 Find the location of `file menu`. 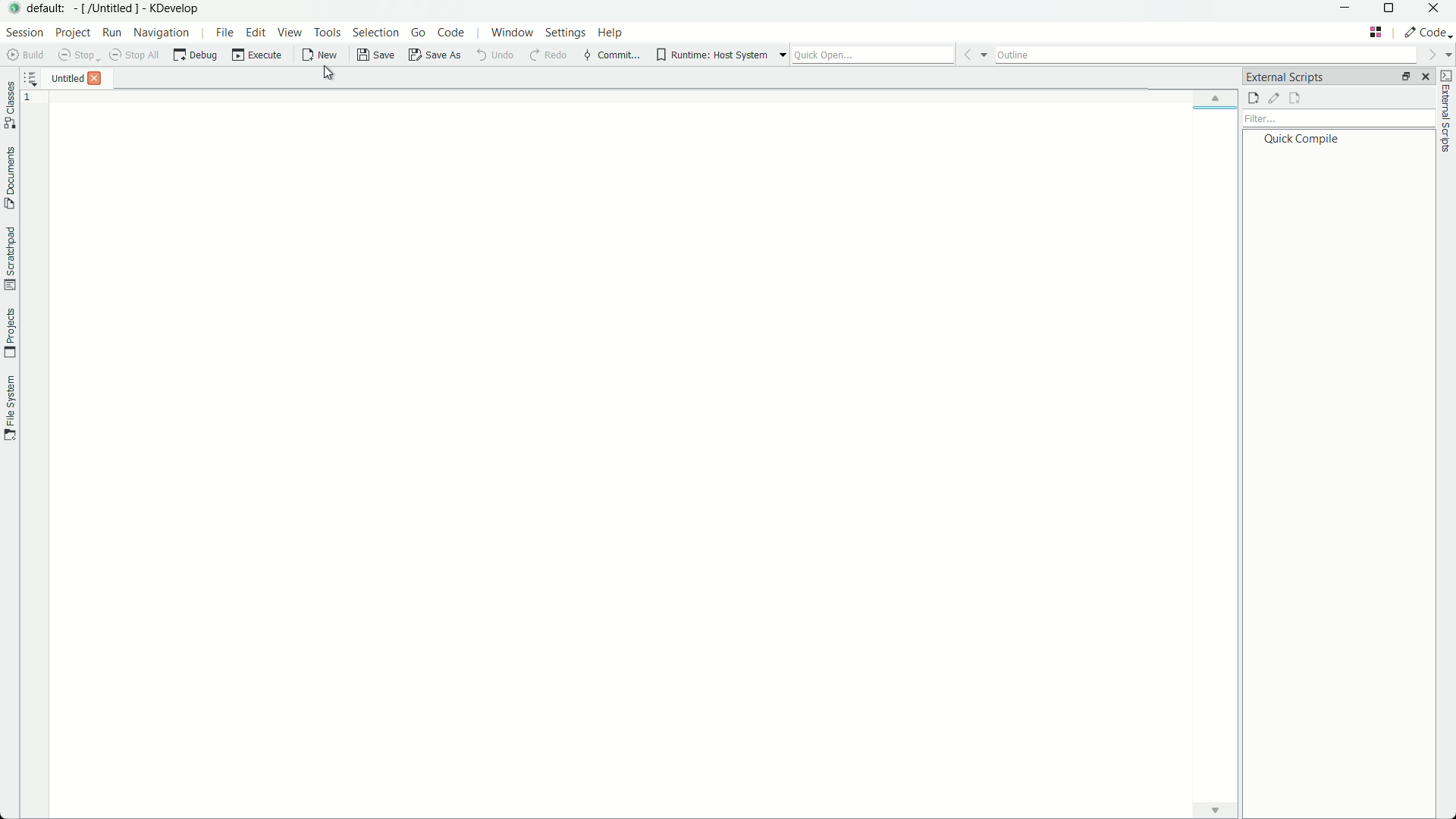

file menu is located at coordinates (224, 31).